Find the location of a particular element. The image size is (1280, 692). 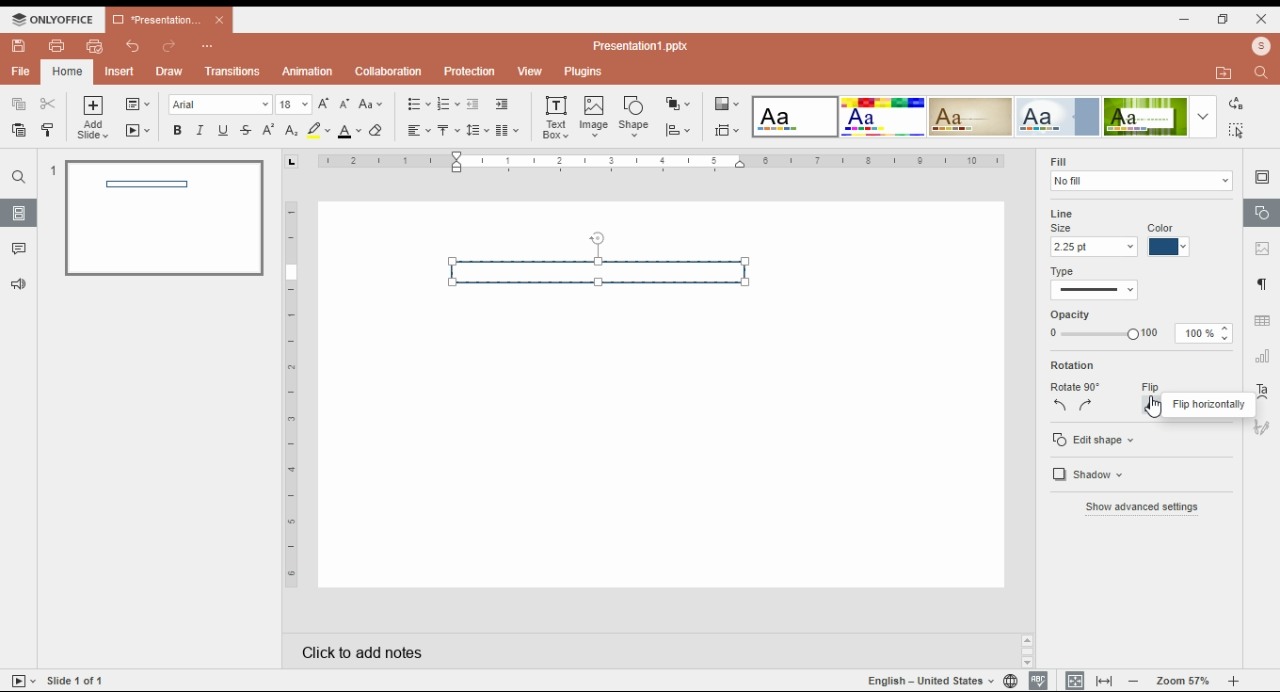

replace is located at coordinates (1237, 102).